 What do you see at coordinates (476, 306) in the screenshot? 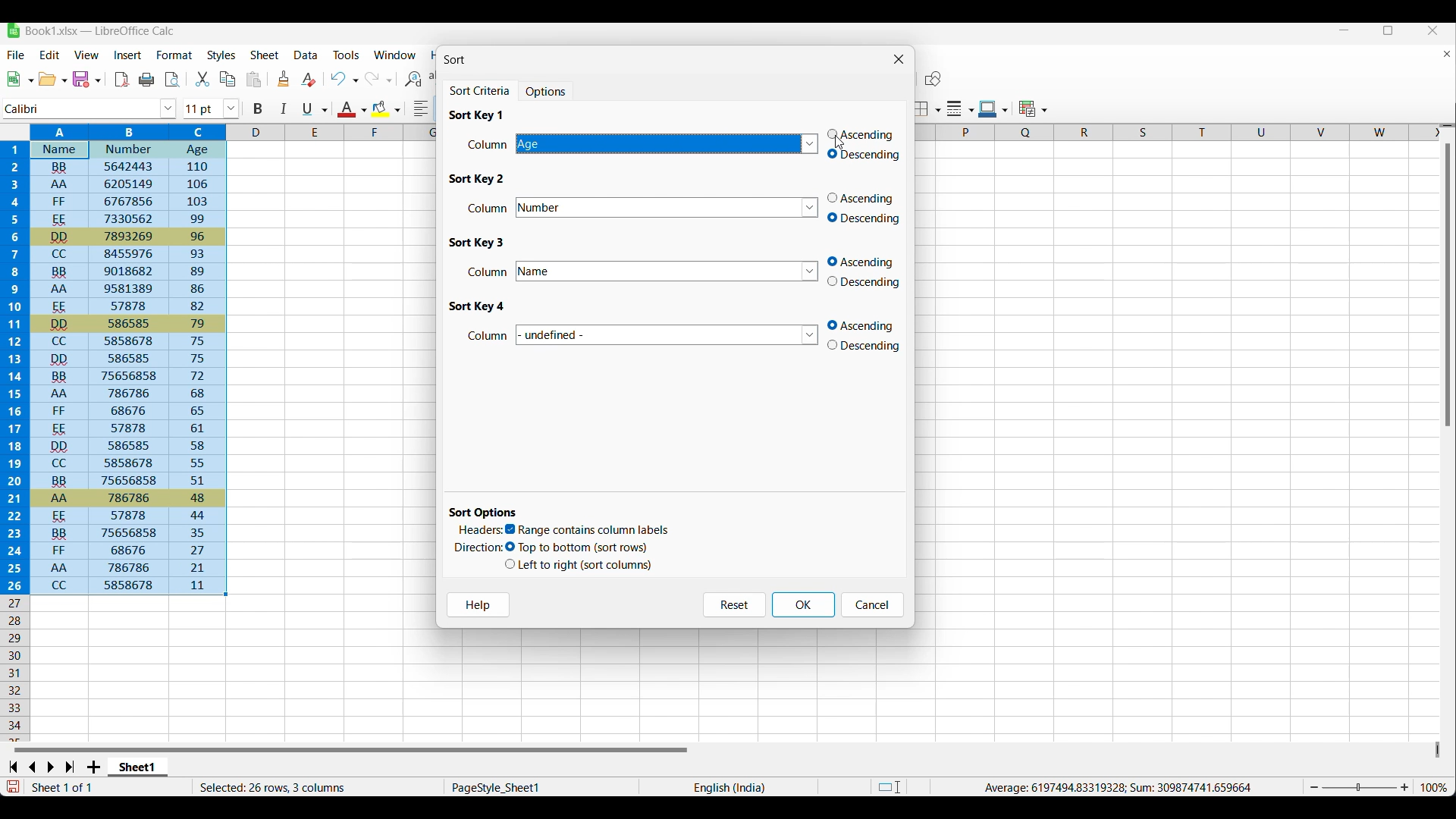
I see `Sort 4` at bounding box center [476, 306].